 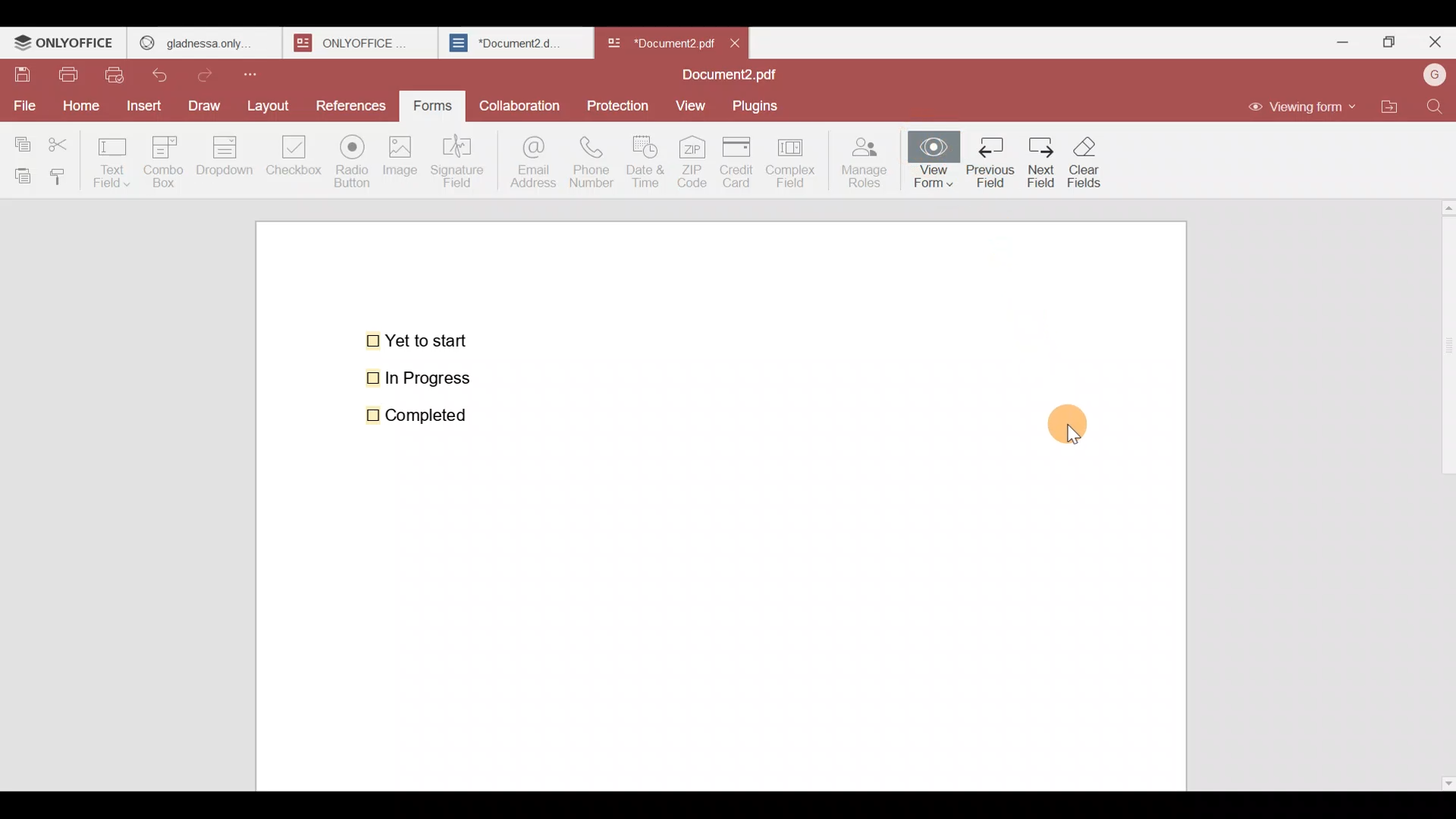 What do you see at coordinates (20, 140) in the screenshot?
I see `Copy` at bounding box center [20, 140].